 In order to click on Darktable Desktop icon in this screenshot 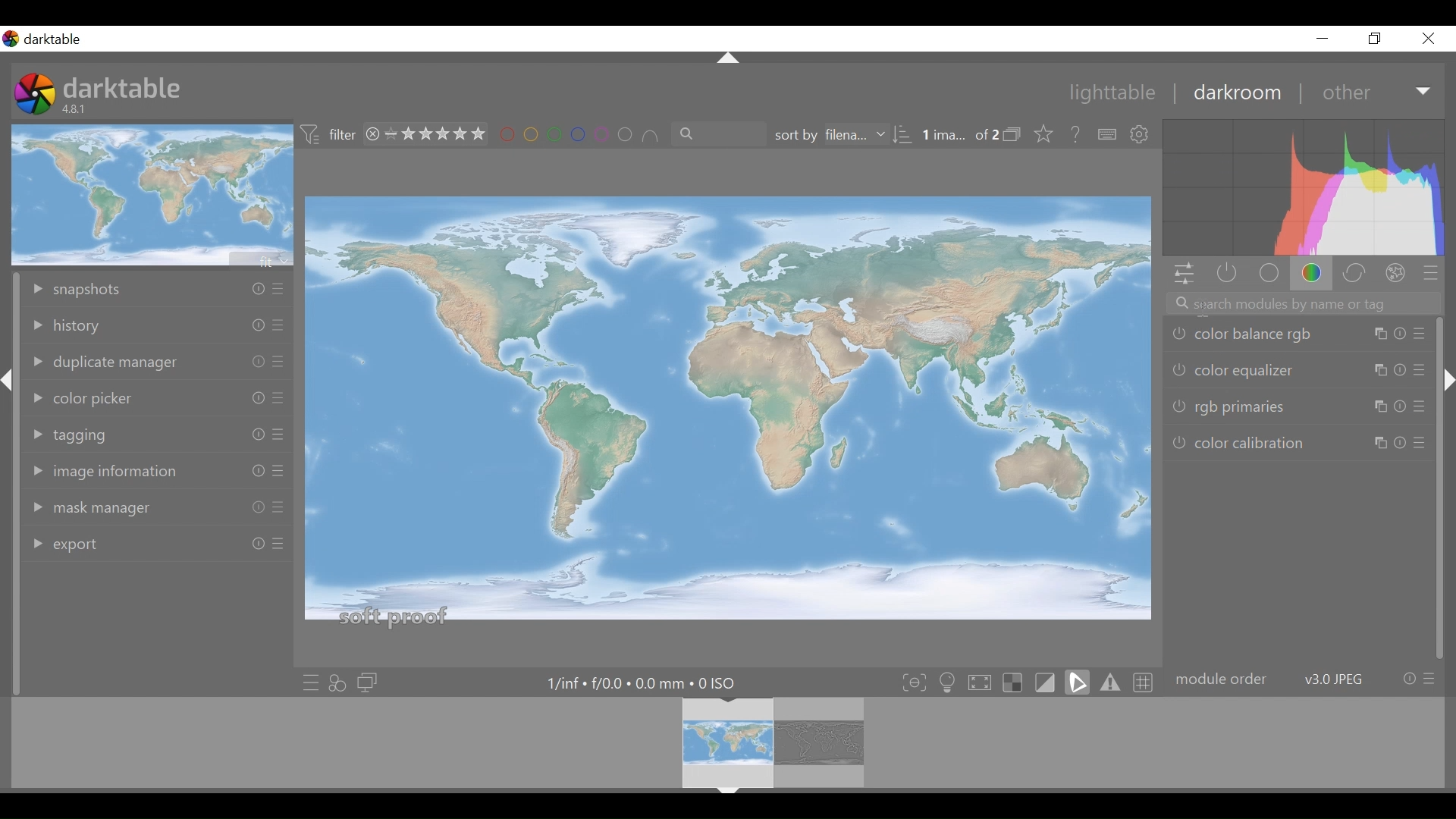, I will do `click(34, 93)`.